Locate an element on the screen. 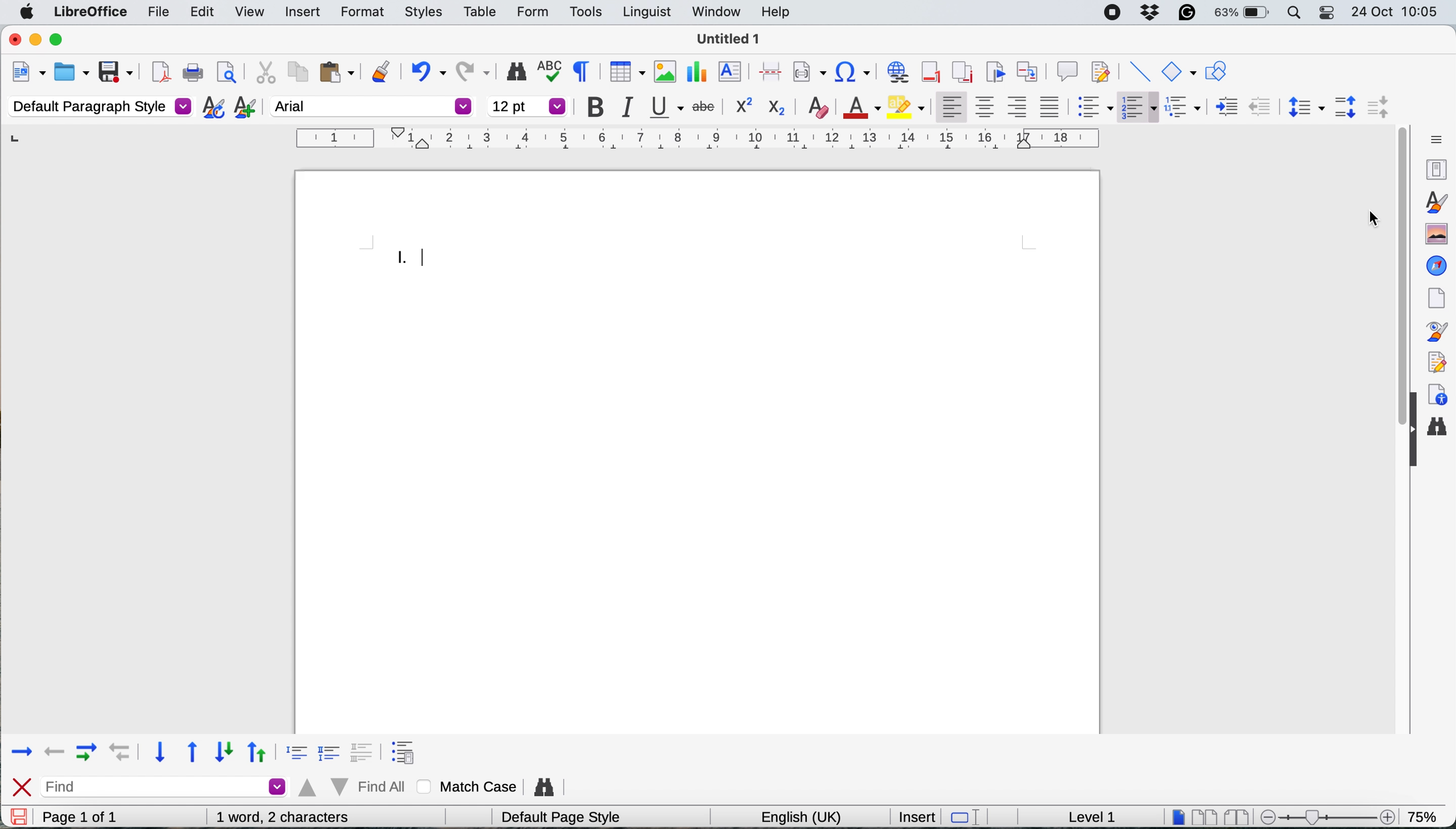 Image resolution: width=1456 pixels, height=829 pixels. dropbox is located at coordinates (1151, 11).